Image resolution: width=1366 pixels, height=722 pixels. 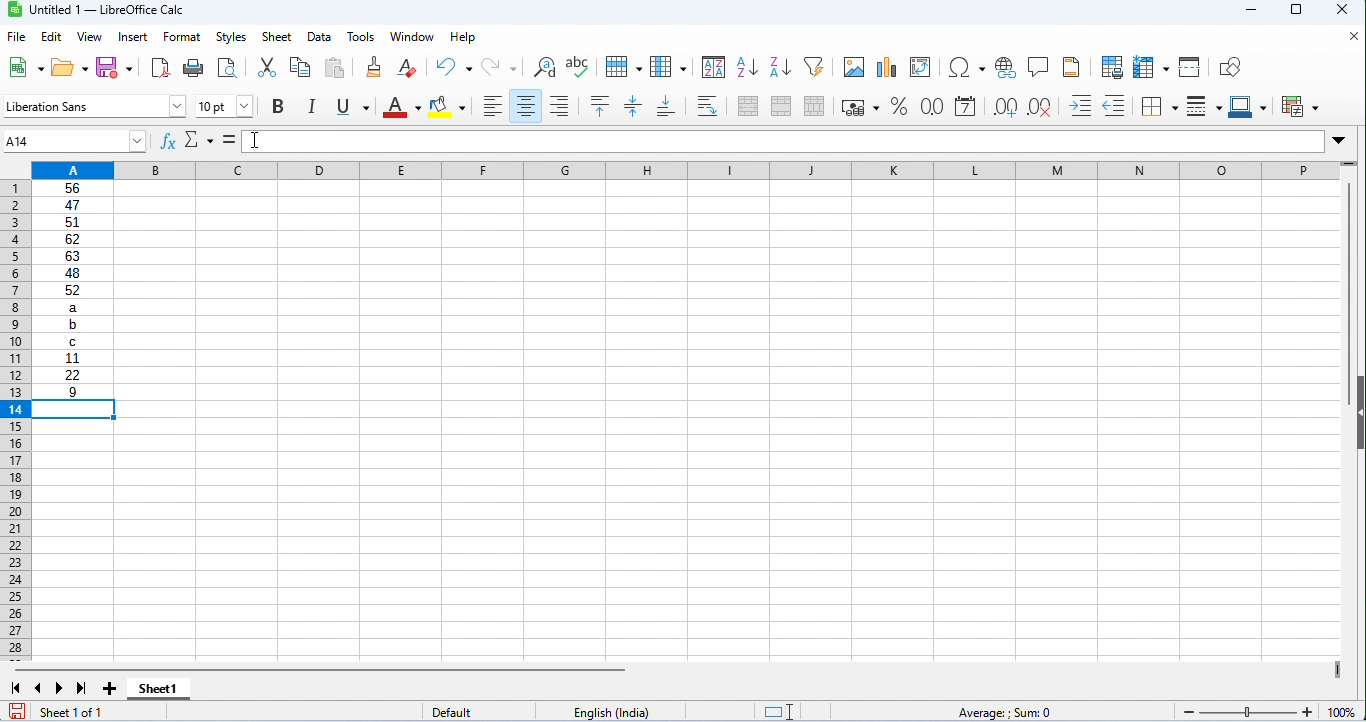 What do you see at coordinates (746, 68) in the screenshot?
I see `sort ascending` at bounding box center [746, 68].